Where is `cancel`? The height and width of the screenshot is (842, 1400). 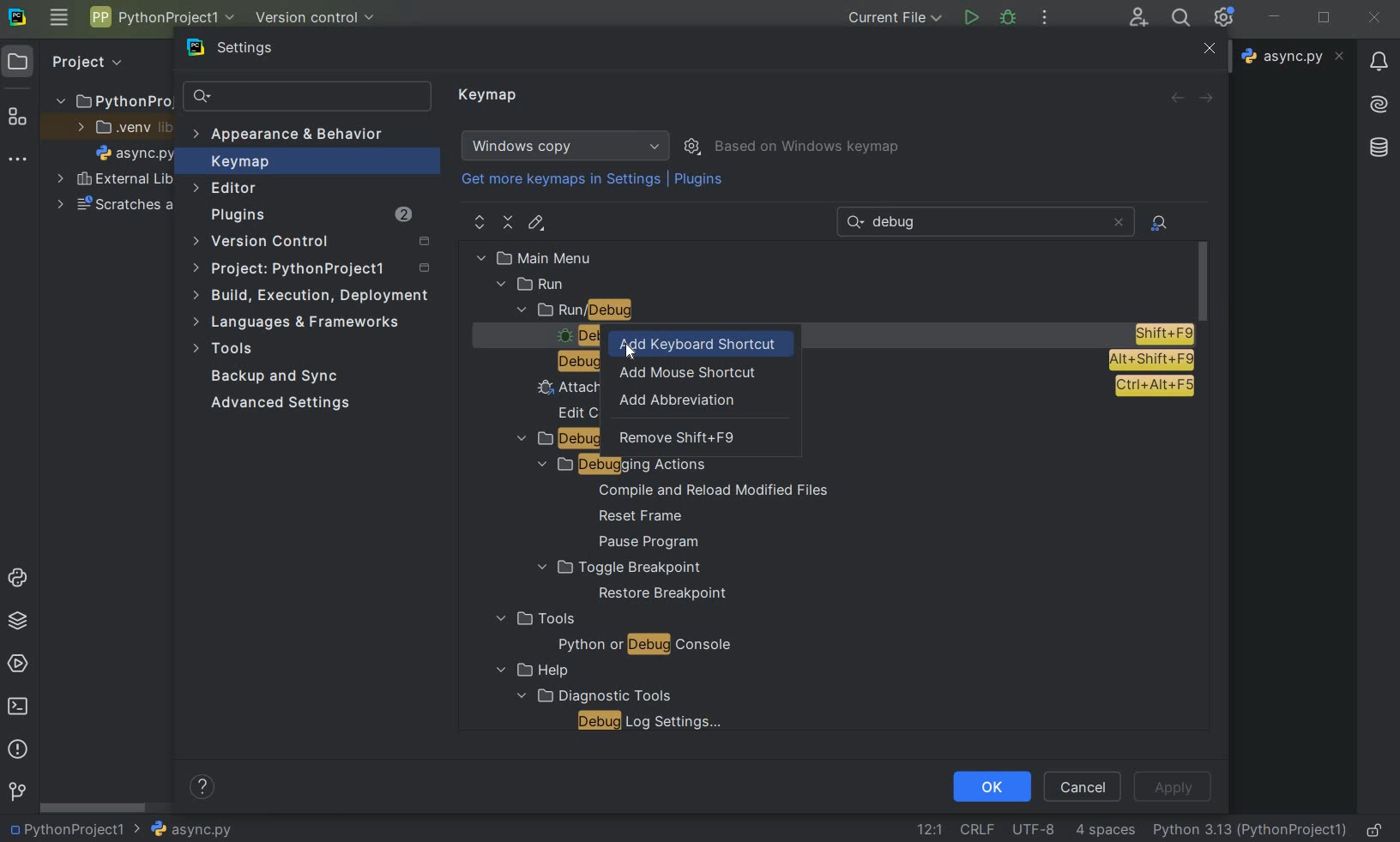
cancel is located at coordinates (1083, 785).